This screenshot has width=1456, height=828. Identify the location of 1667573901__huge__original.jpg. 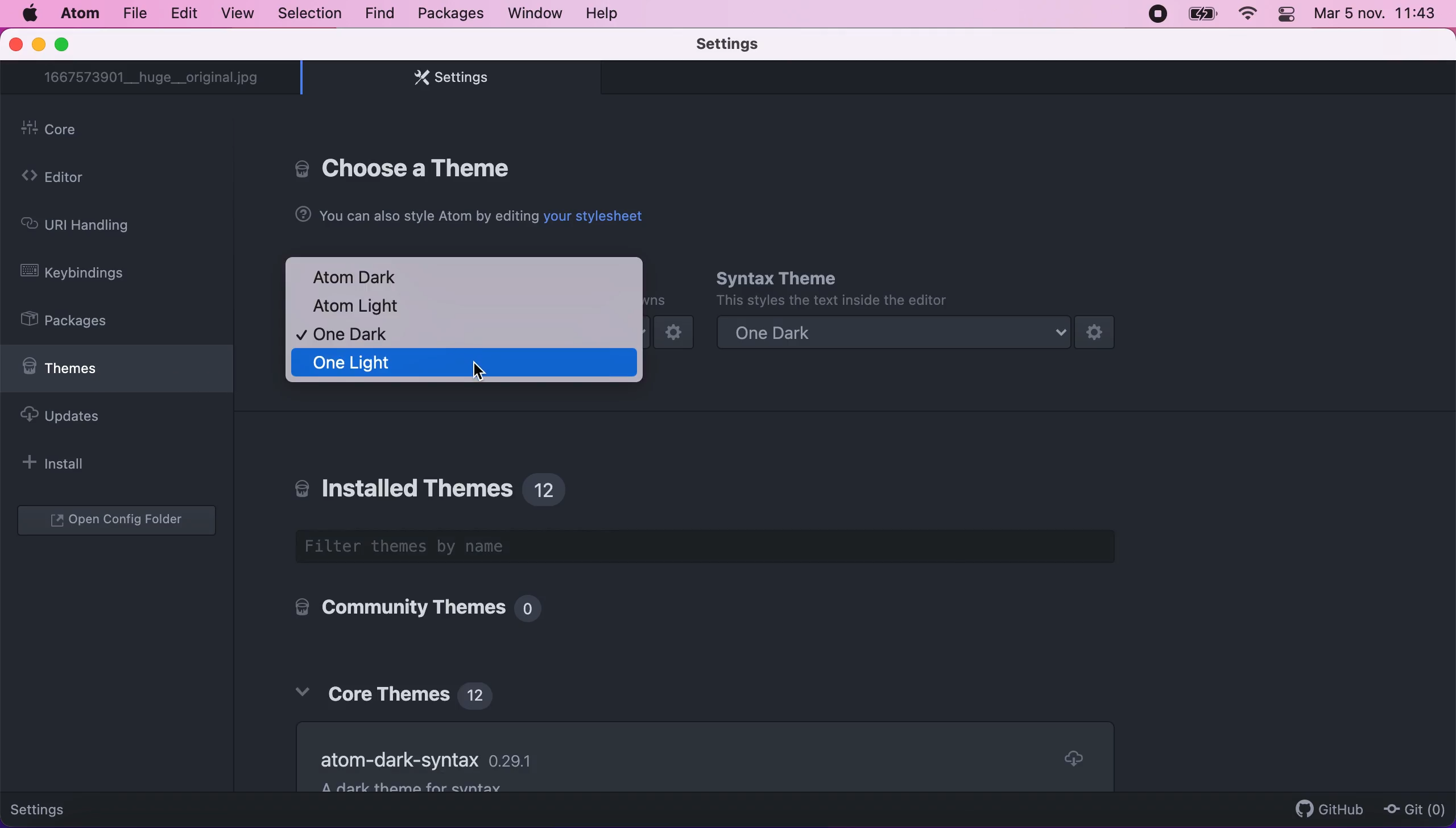
(155, 78).